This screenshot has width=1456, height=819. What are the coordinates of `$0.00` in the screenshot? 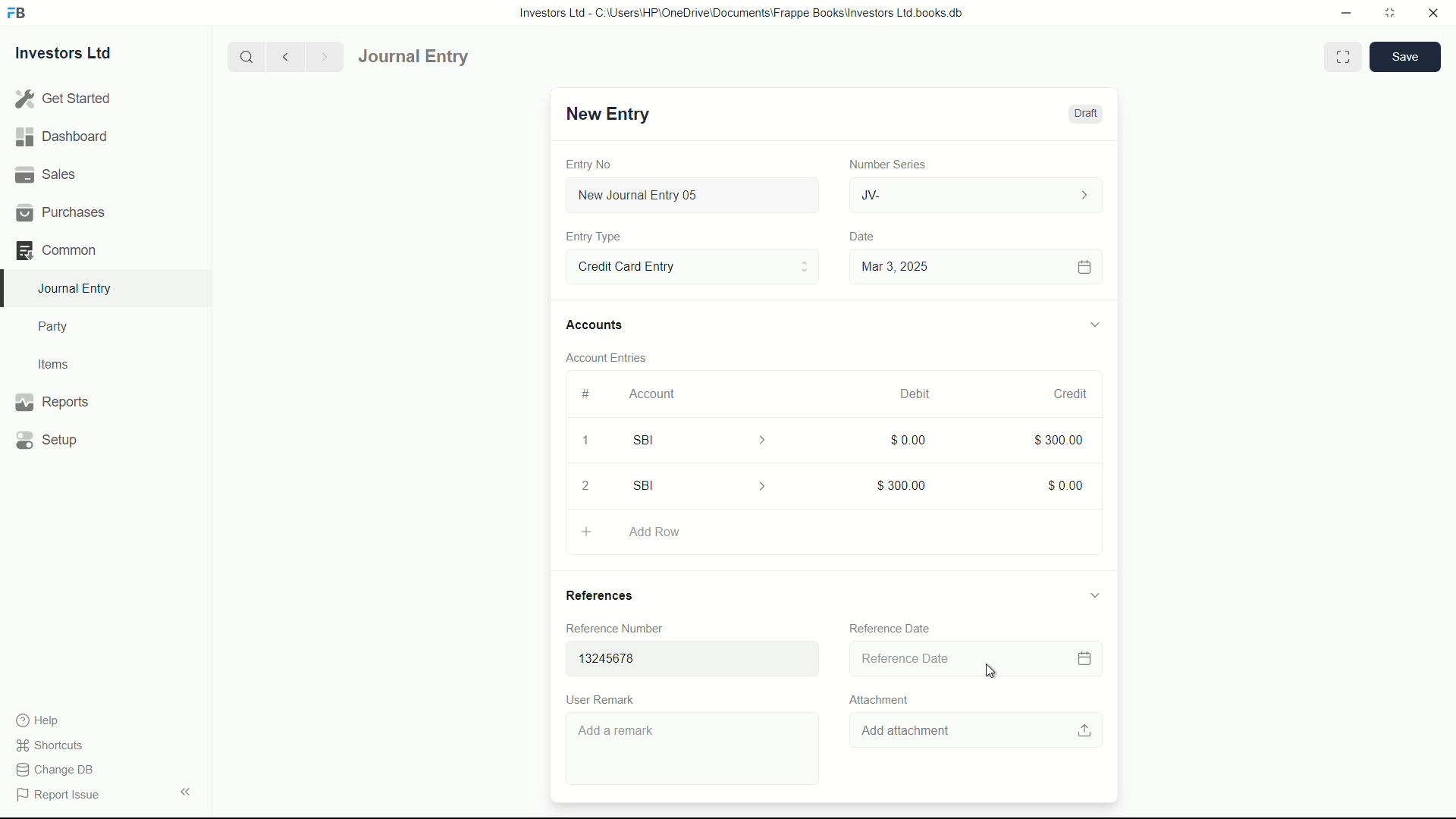 It's located at (1064, 484).